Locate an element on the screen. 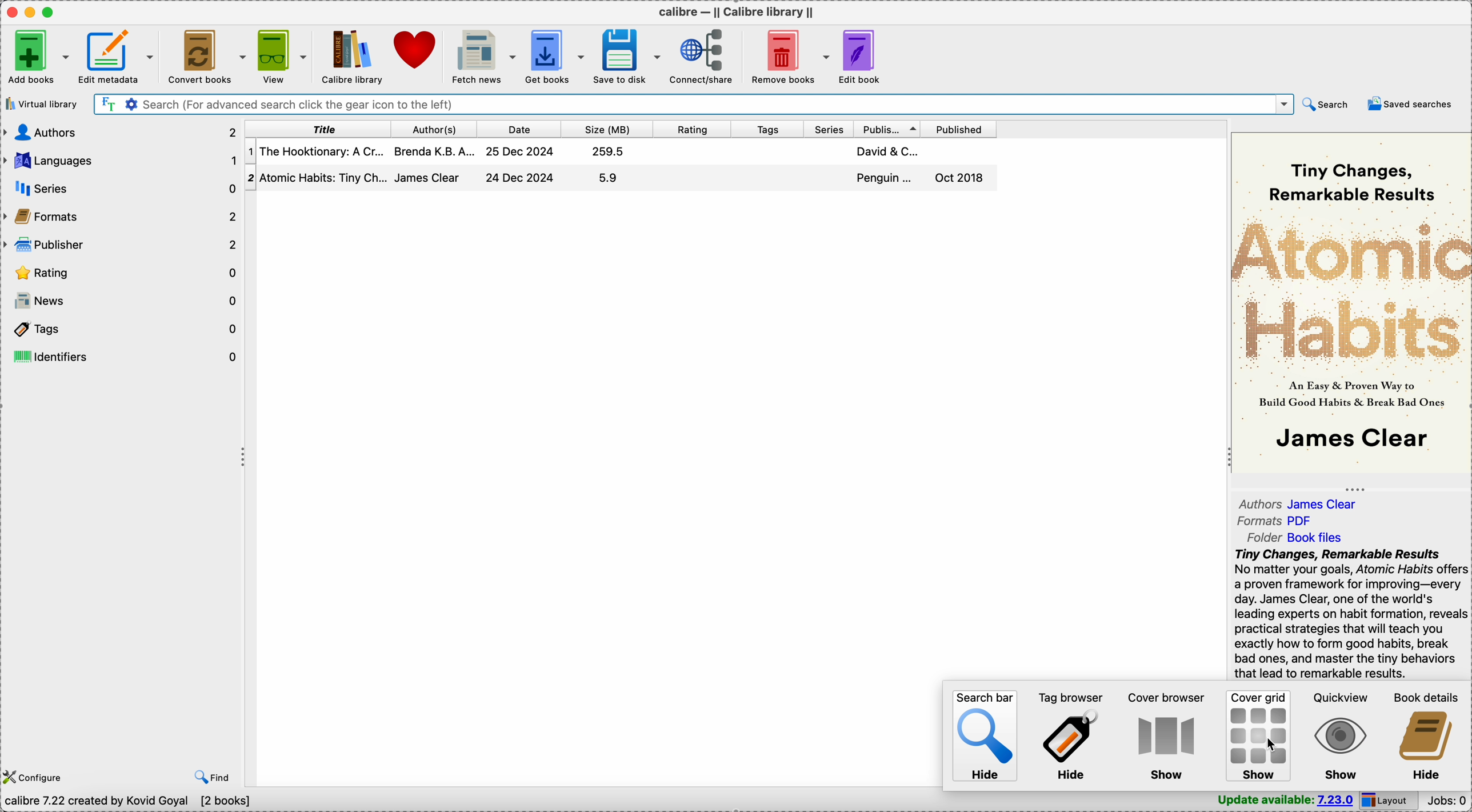  view is located at coordinates (282, 55).